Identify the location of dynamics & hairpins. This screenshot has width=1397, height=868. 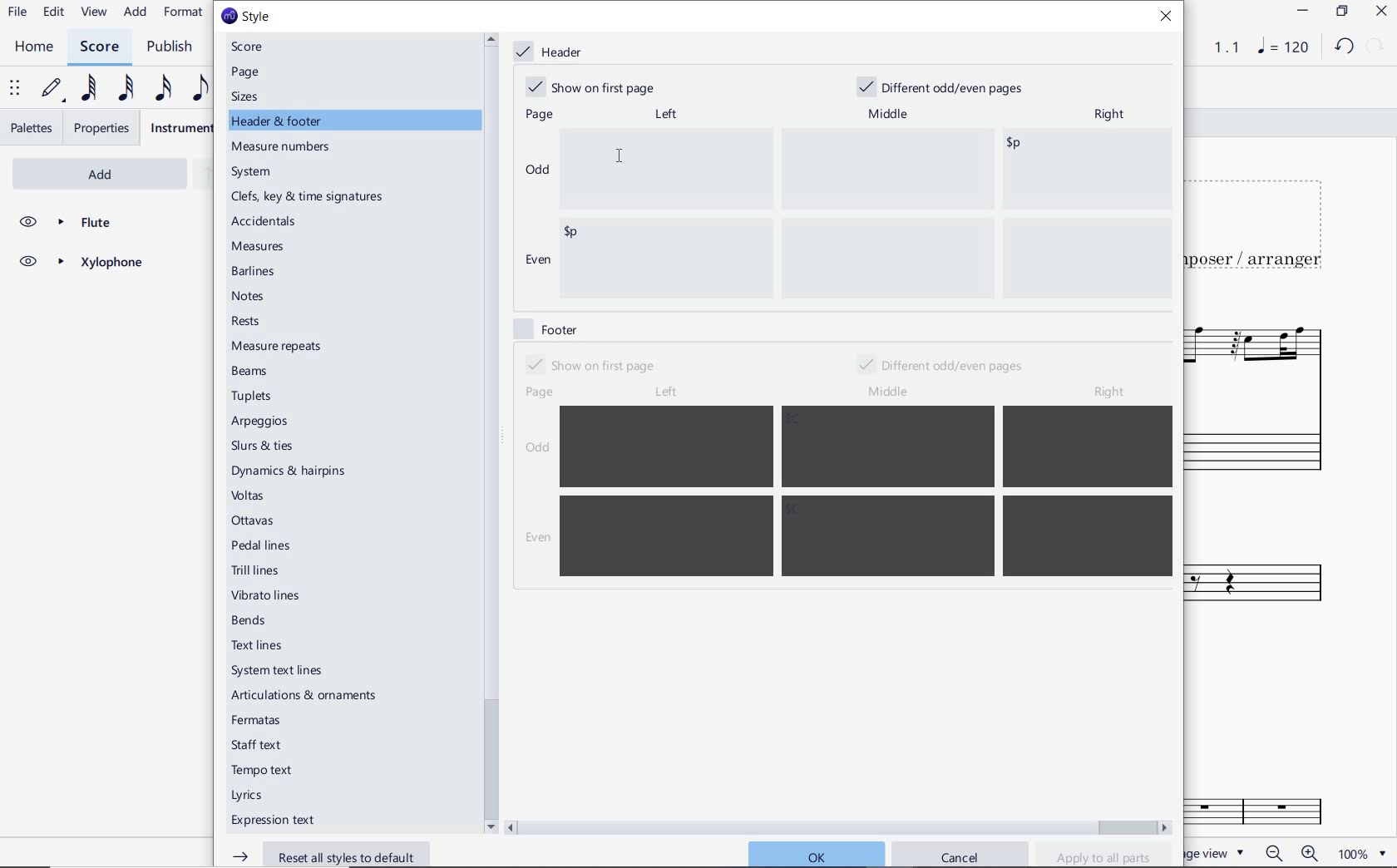
(292, 471).